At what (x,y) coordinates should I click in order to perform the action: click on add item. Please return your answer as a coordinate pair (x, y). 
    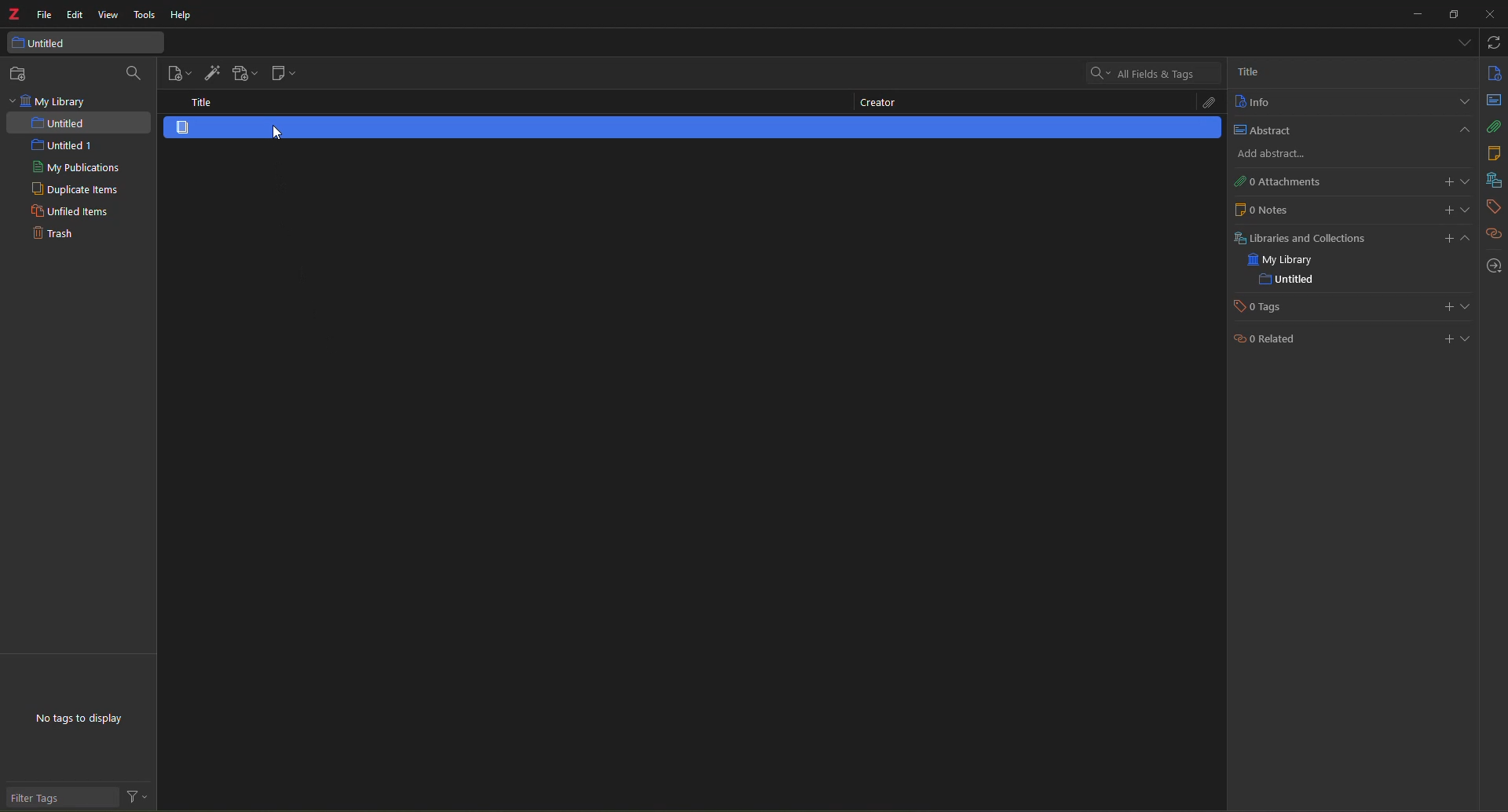
    Looking at the image, I should click on (210, 71).